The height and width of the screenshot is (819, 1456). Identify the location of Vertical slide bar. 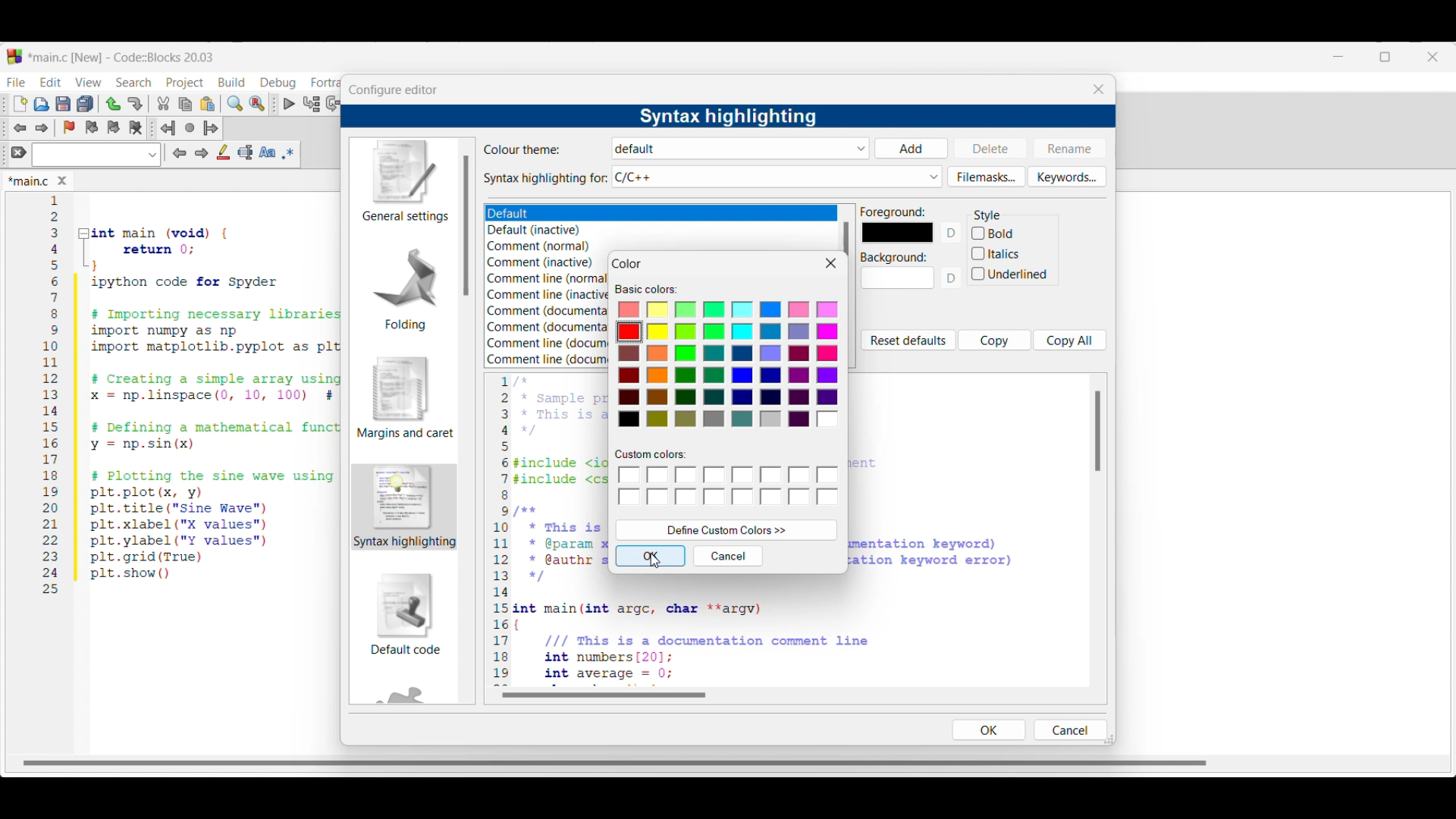
(846, 239).